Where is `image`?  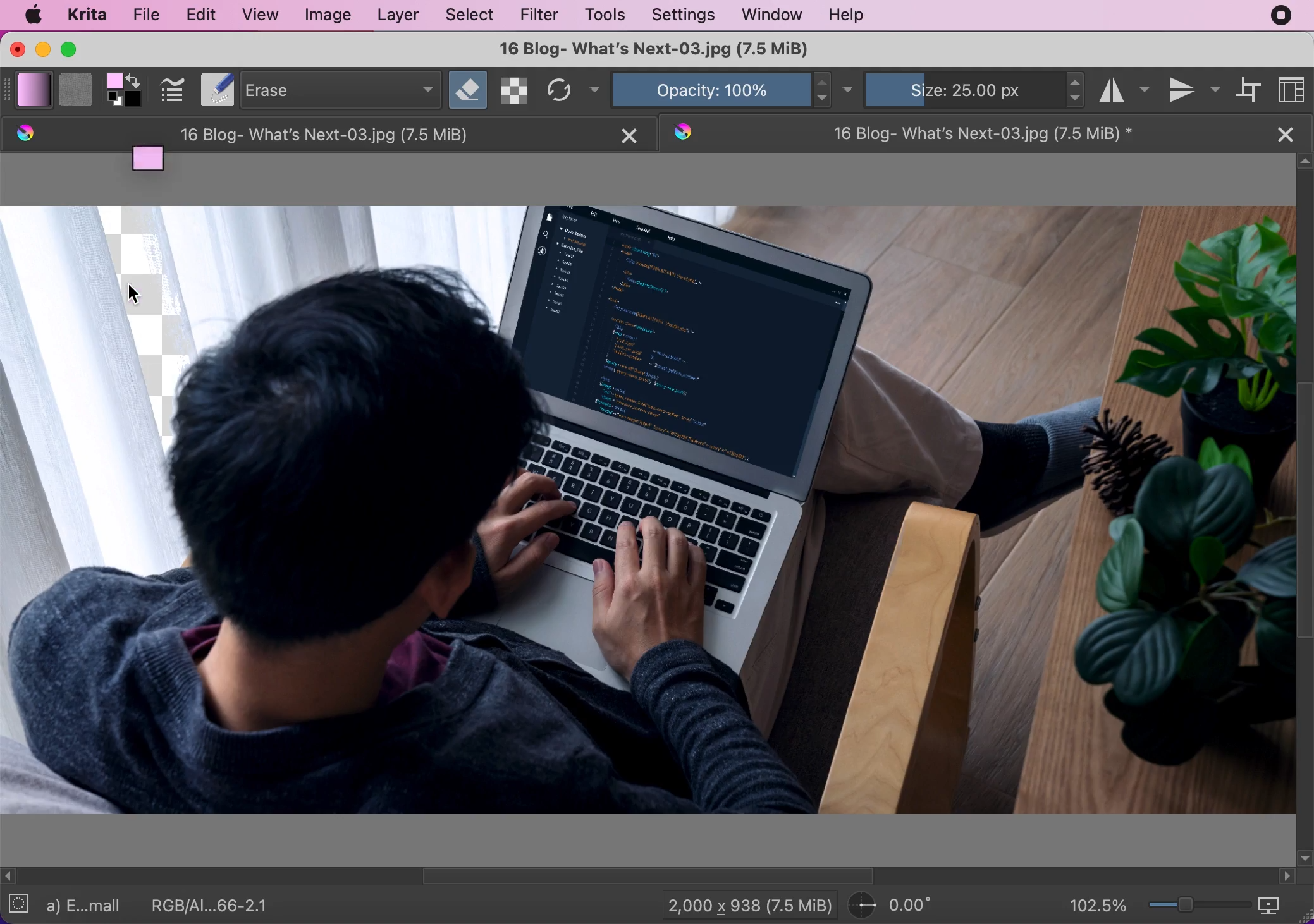
image is located at coordinates (332, 16).